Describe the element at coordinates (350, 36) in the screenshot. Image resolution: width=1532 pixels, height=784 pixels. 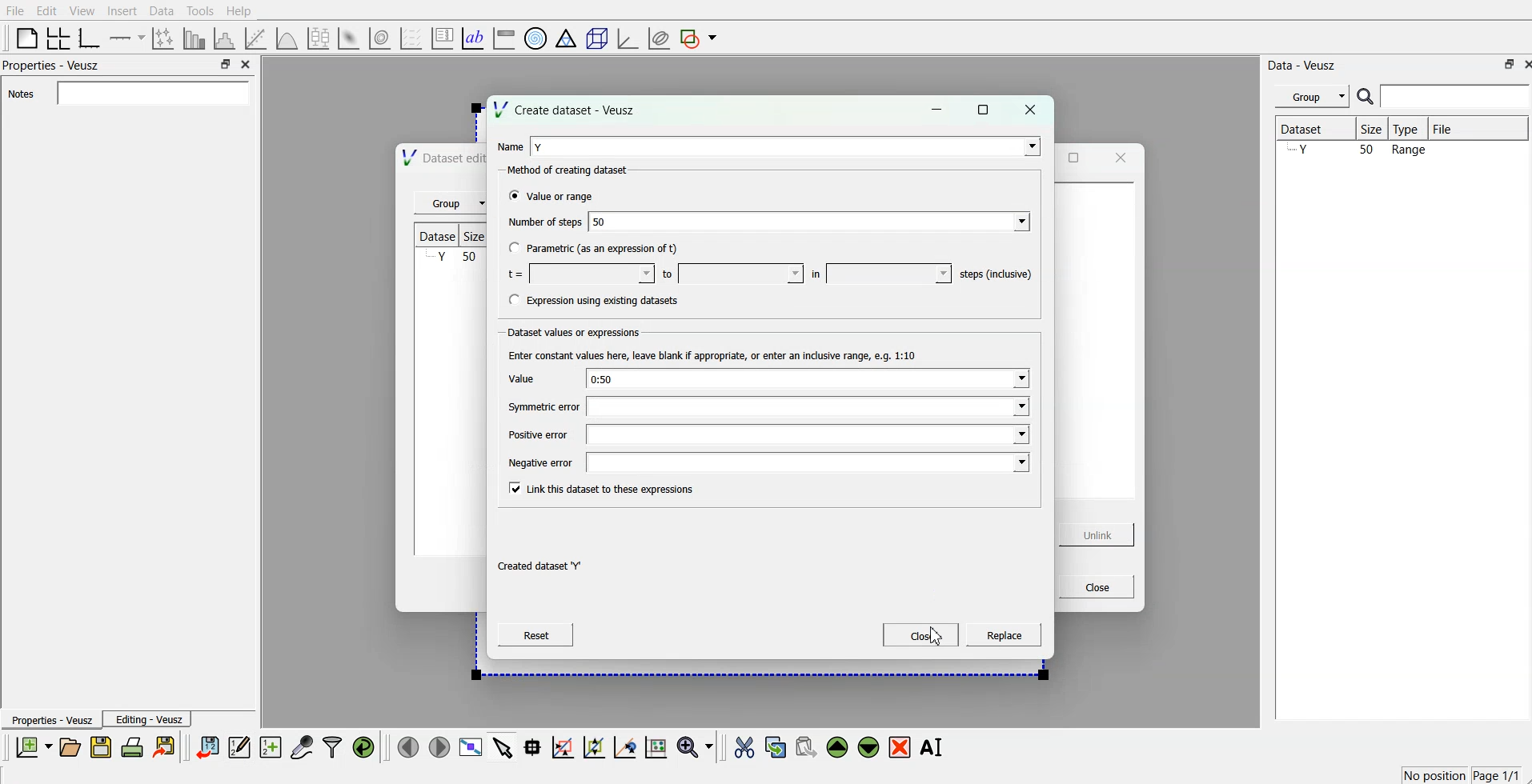
I see `plot 2d datasets as image` at that location.